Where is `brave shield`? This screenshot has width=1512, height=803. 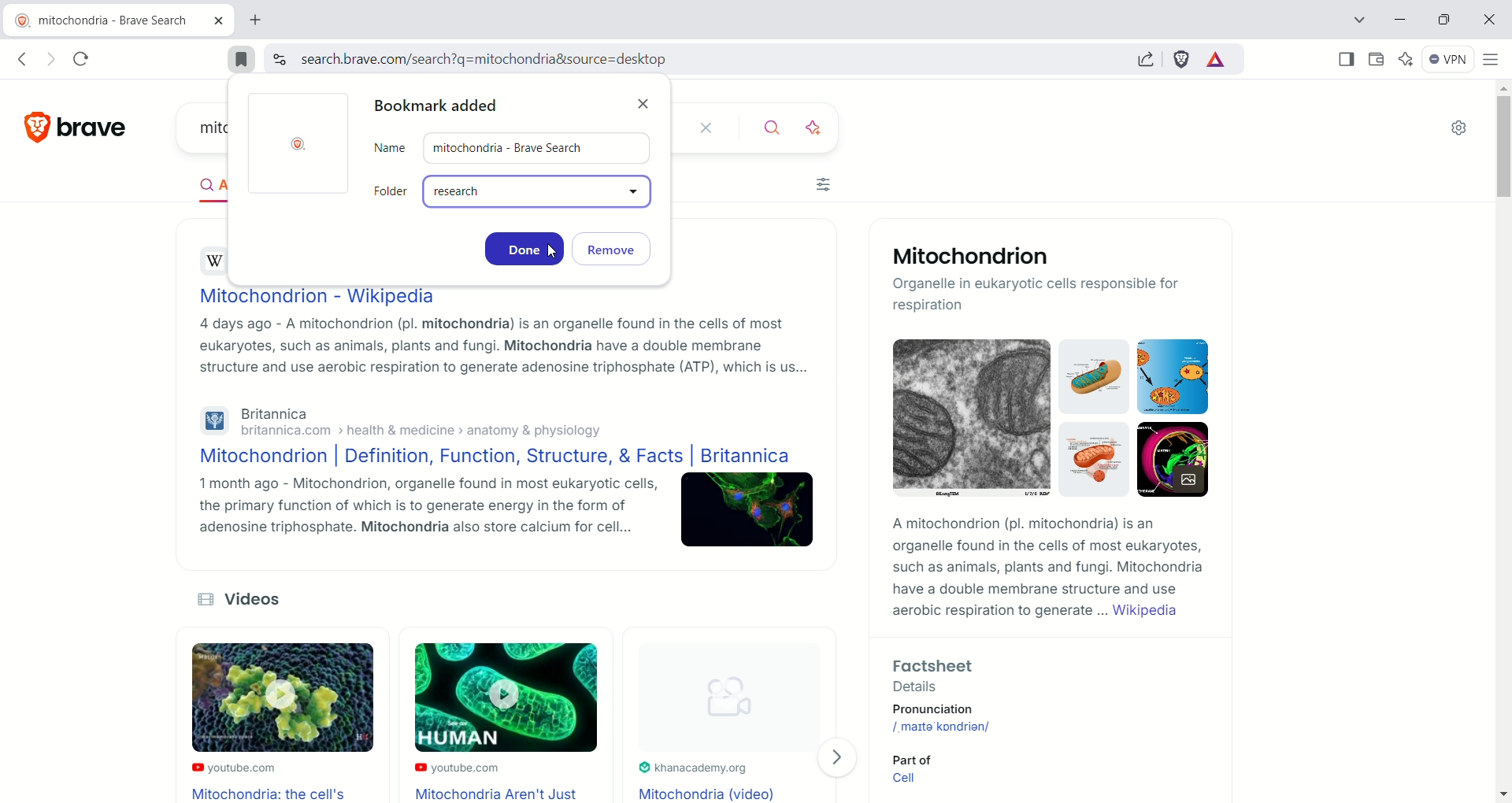
brave shield is located at coordinates (1183, 61).